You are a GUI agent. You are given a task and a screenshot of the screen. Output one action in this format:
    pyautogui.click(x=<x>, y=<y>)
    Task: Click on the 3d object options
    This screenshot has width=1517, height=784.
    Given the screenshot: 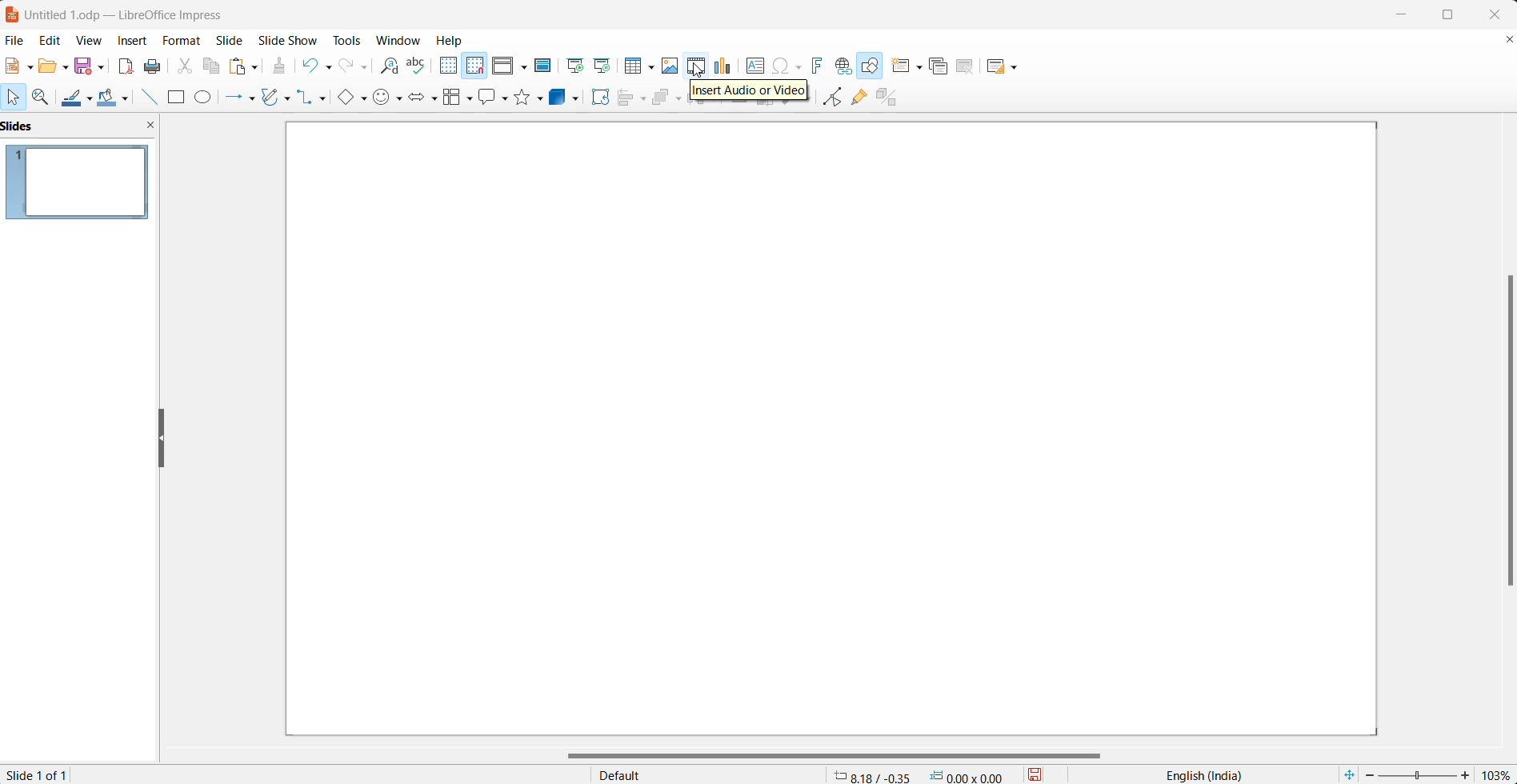 What is the action you would take?
    pyautogui.click(x=579, y=100)
    